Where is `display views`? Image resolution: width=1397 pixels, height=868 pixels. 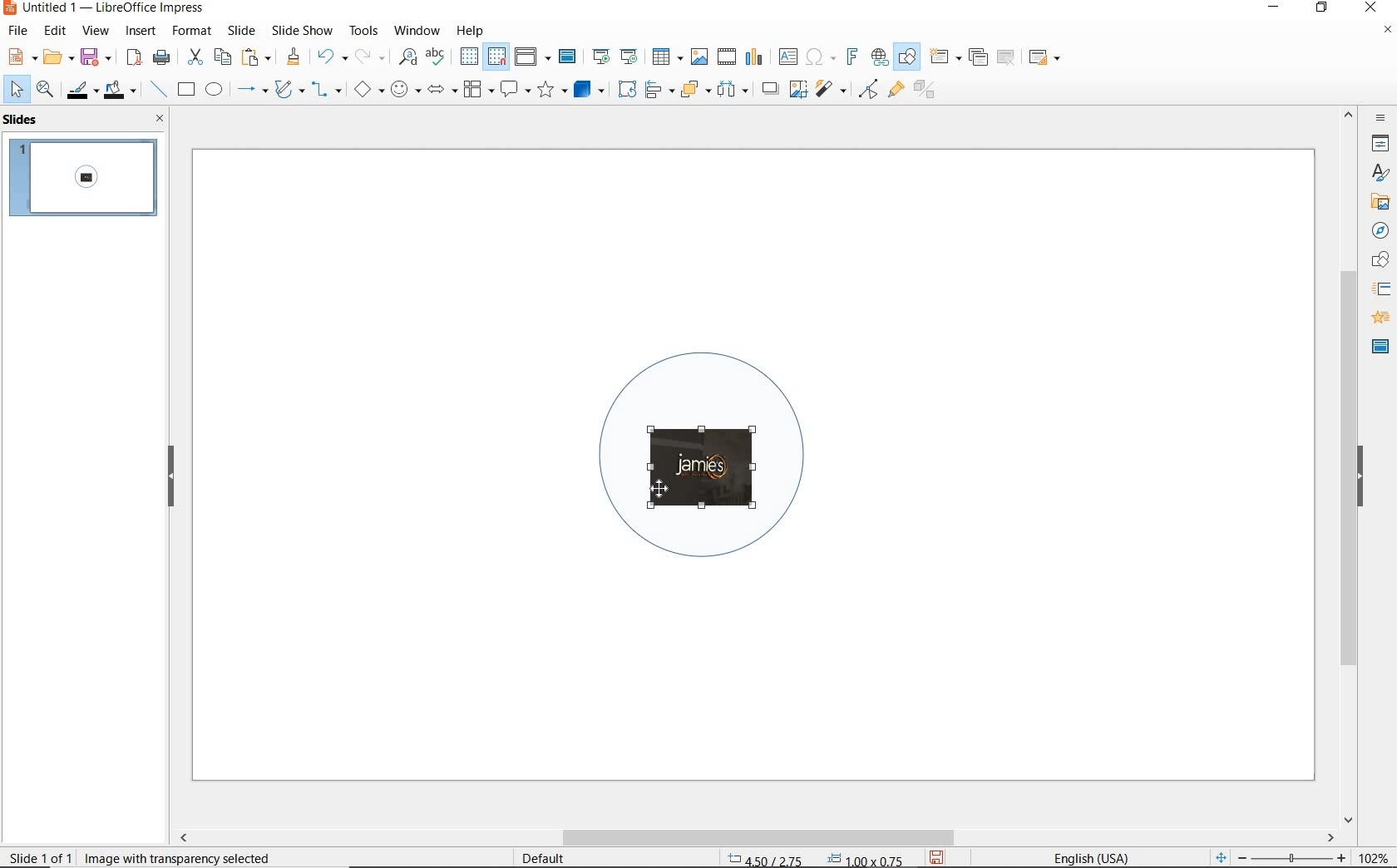 display views is located at coordinates (533, 58).